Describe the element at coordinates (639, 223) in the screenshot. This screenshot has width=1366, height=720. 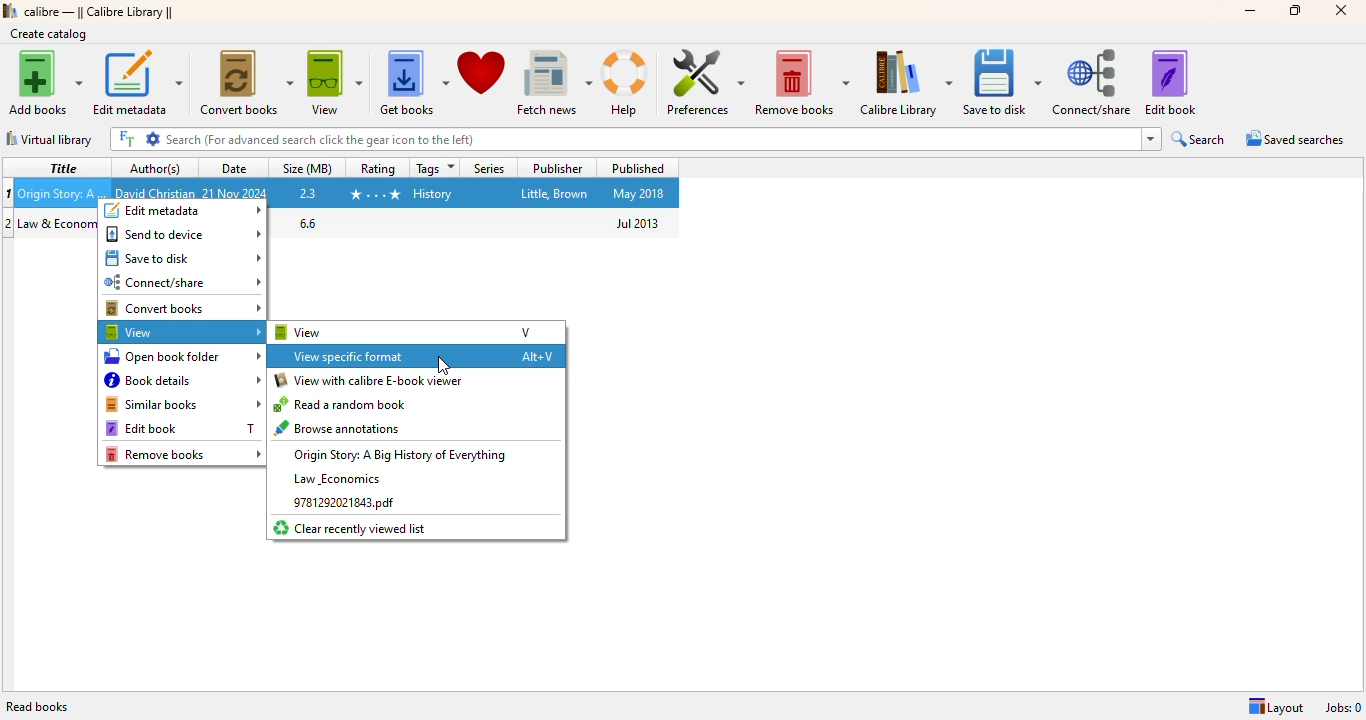
I see `published date` at that location.